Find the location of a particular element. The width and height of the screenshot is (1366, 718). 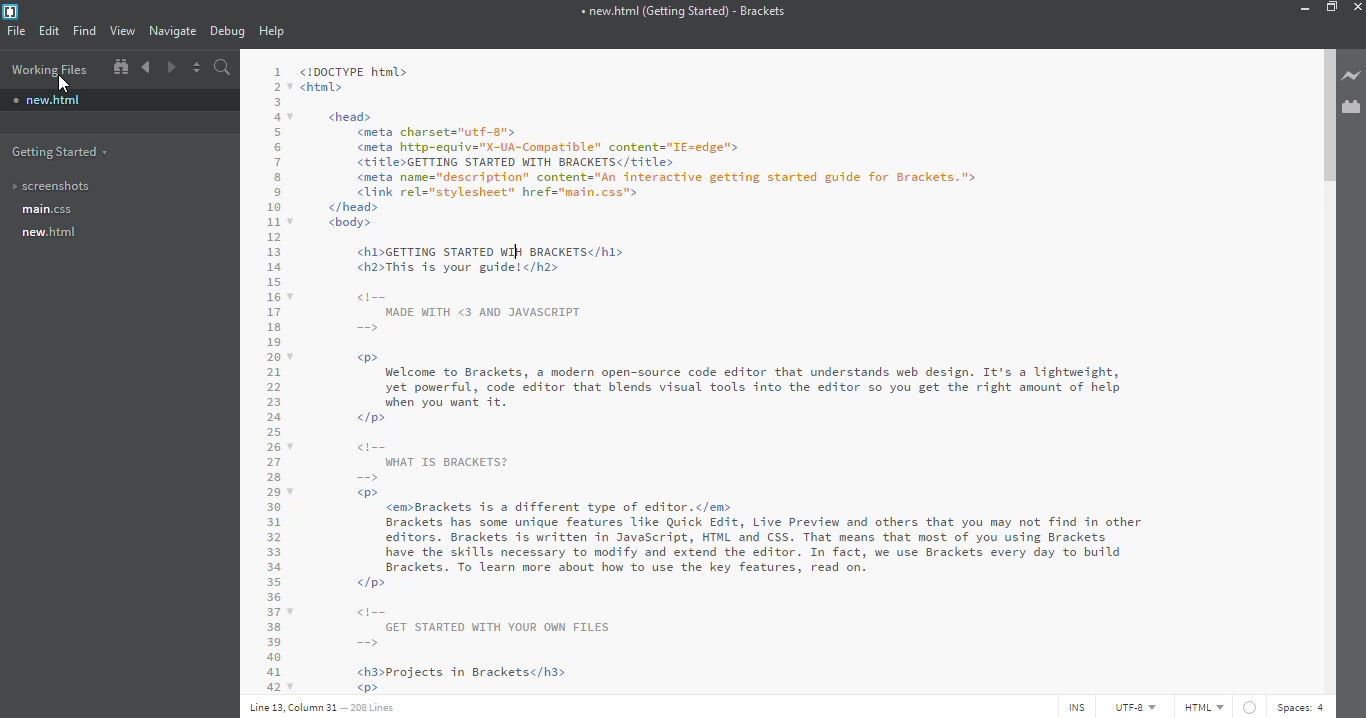

debug is located at coordinates (227, 32).